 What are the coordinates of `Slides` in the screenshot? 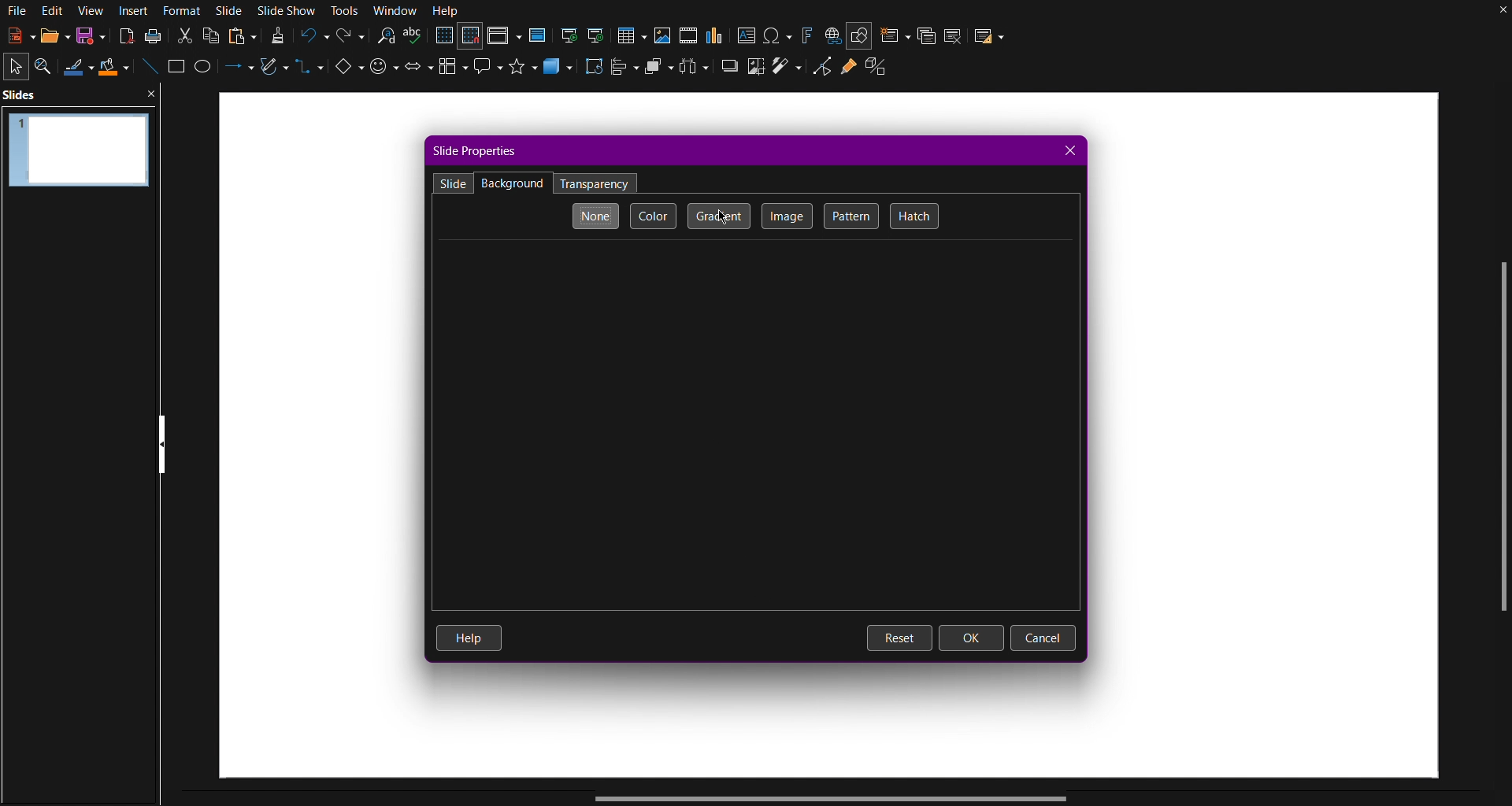 It's located at (24, 94).